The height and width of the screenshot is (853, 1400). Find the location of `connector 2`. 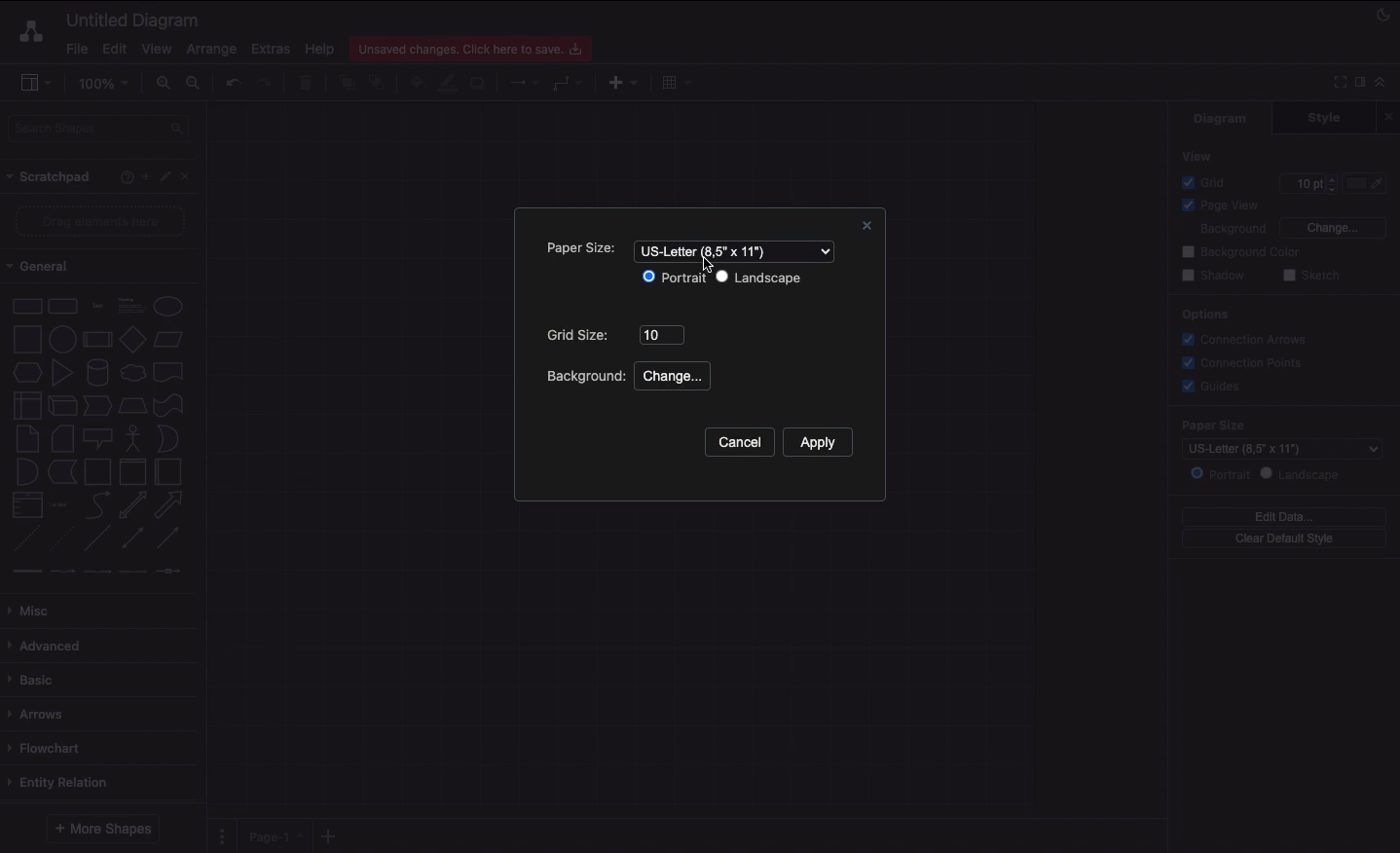

connector 2 is located at coordinates (62, 572).